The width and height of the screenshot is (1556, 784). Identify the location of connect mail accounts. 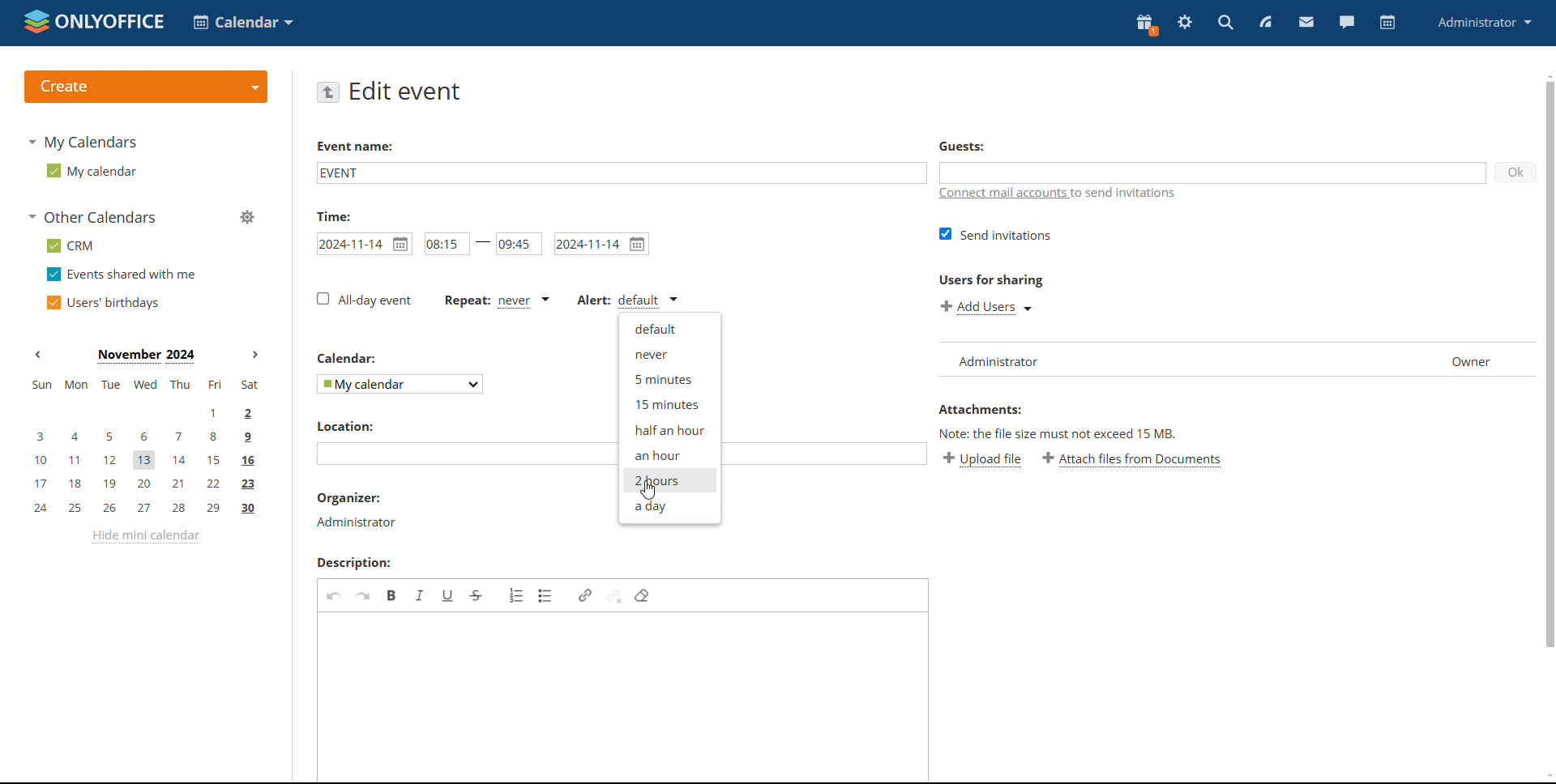
(1064, 194).